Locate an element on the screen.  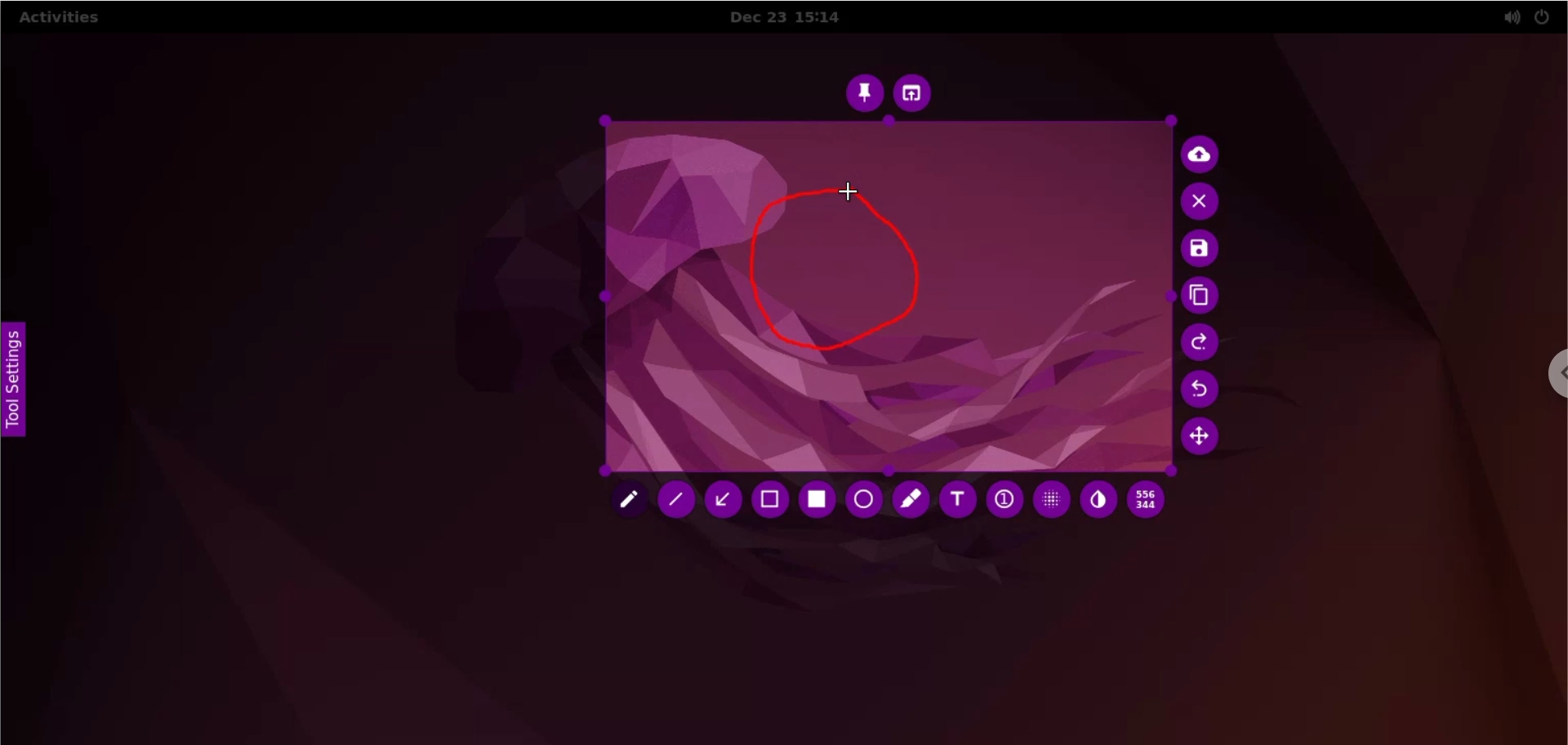
circle tool is located at coordinates (863, 499).